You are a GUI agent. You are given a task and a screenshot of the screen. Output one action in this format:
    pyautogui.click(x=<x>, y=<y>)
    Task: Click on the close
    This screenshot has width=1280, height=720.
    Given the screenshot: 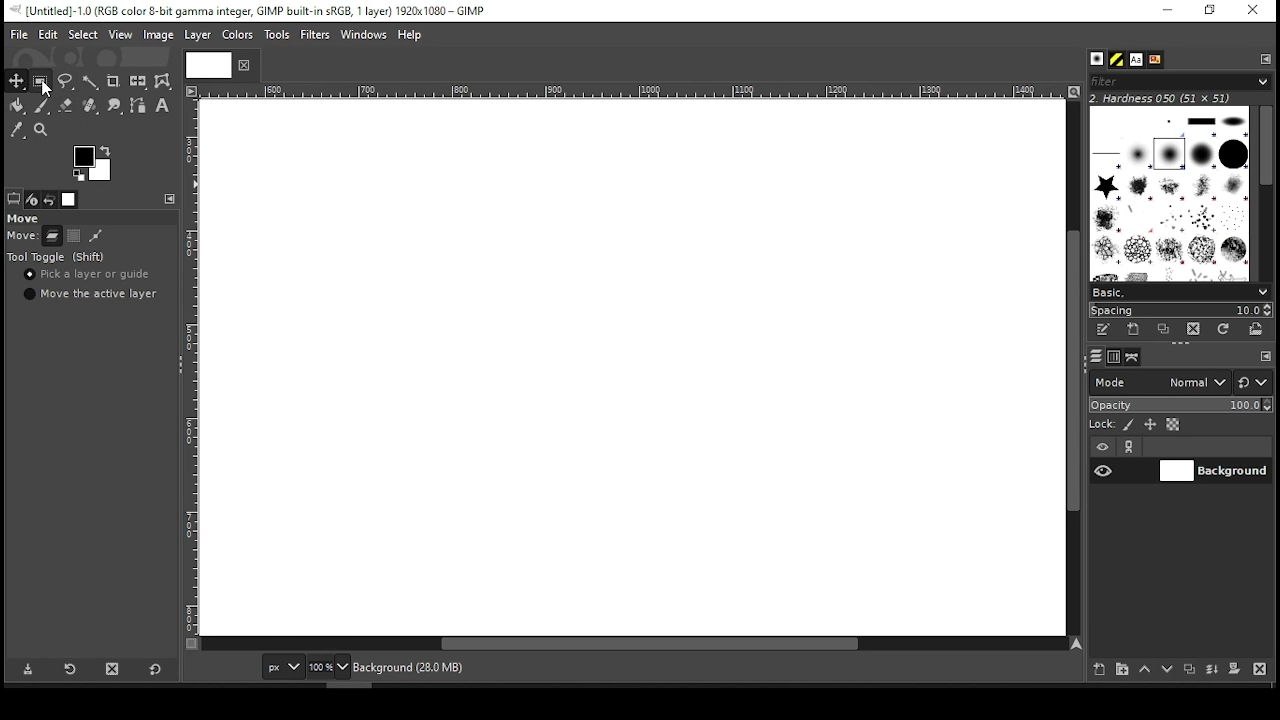 What is the action you would take?
    pyautogui.click(x=242, y=65)
    